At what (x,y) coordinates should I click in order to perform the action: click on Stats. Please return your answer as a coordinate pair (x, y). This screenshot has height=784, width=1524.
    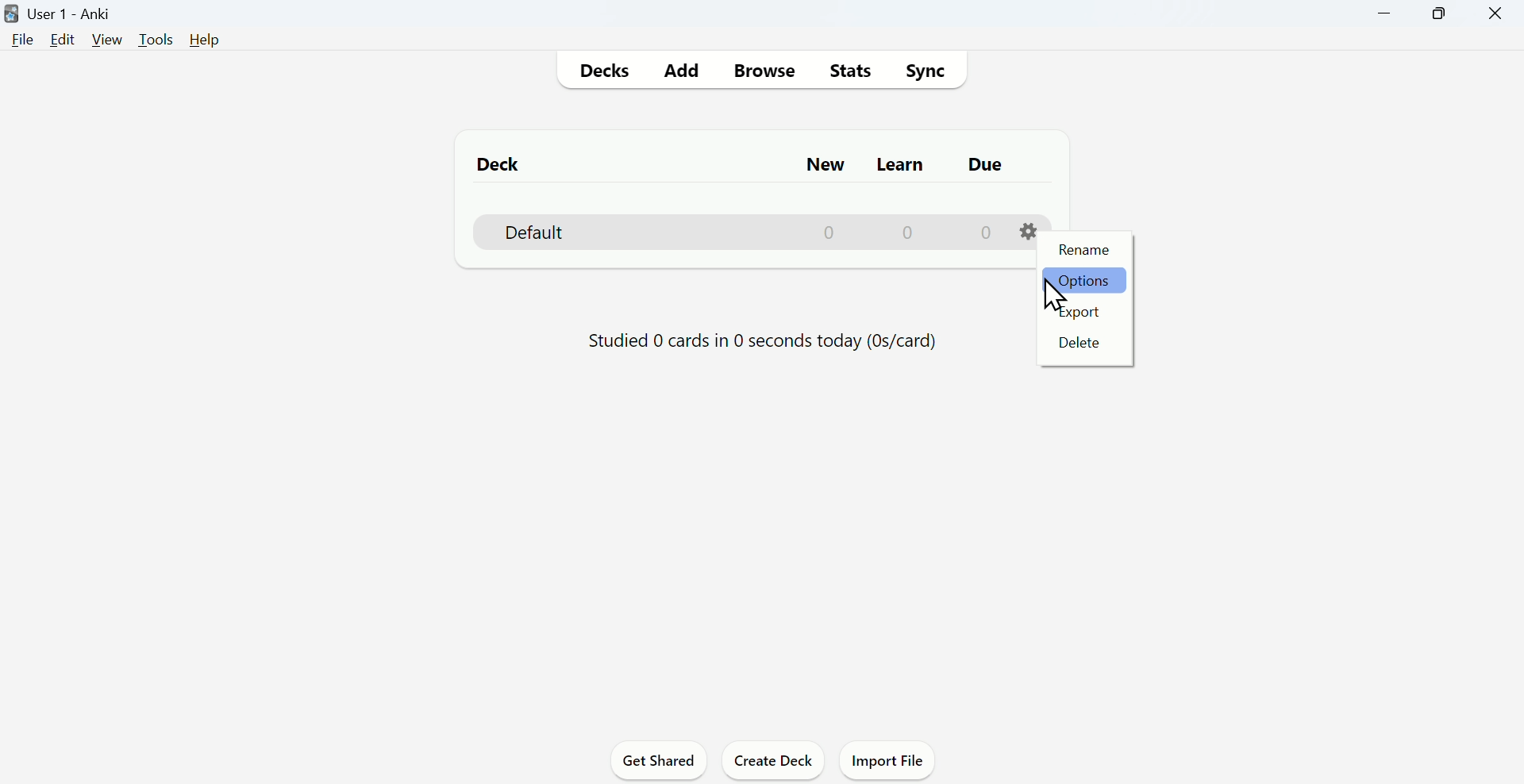
    Looking at the image, I should click on (845, 73).